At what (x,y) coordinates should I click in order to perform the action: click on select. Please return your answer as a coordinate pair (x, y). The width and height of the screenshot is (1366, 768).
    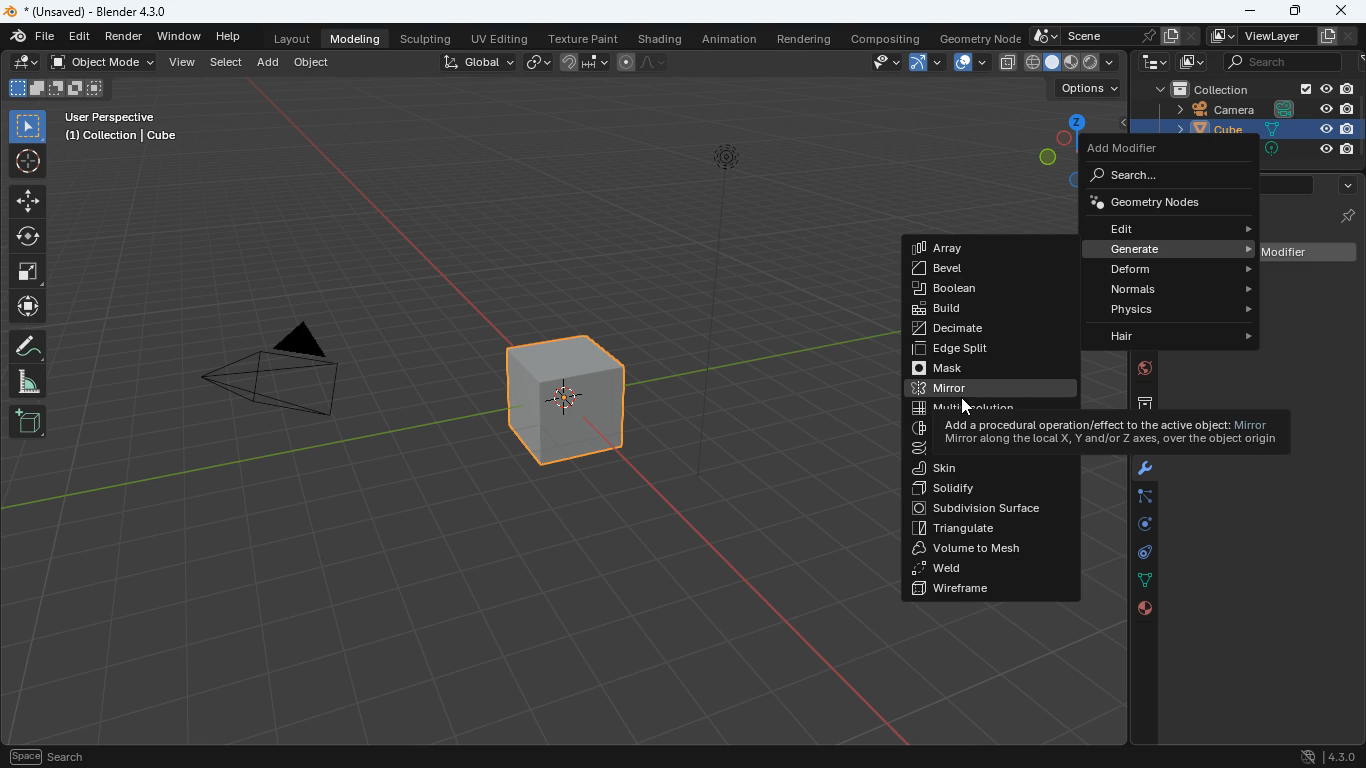
    Looking at the image, I should click on (227, 62).